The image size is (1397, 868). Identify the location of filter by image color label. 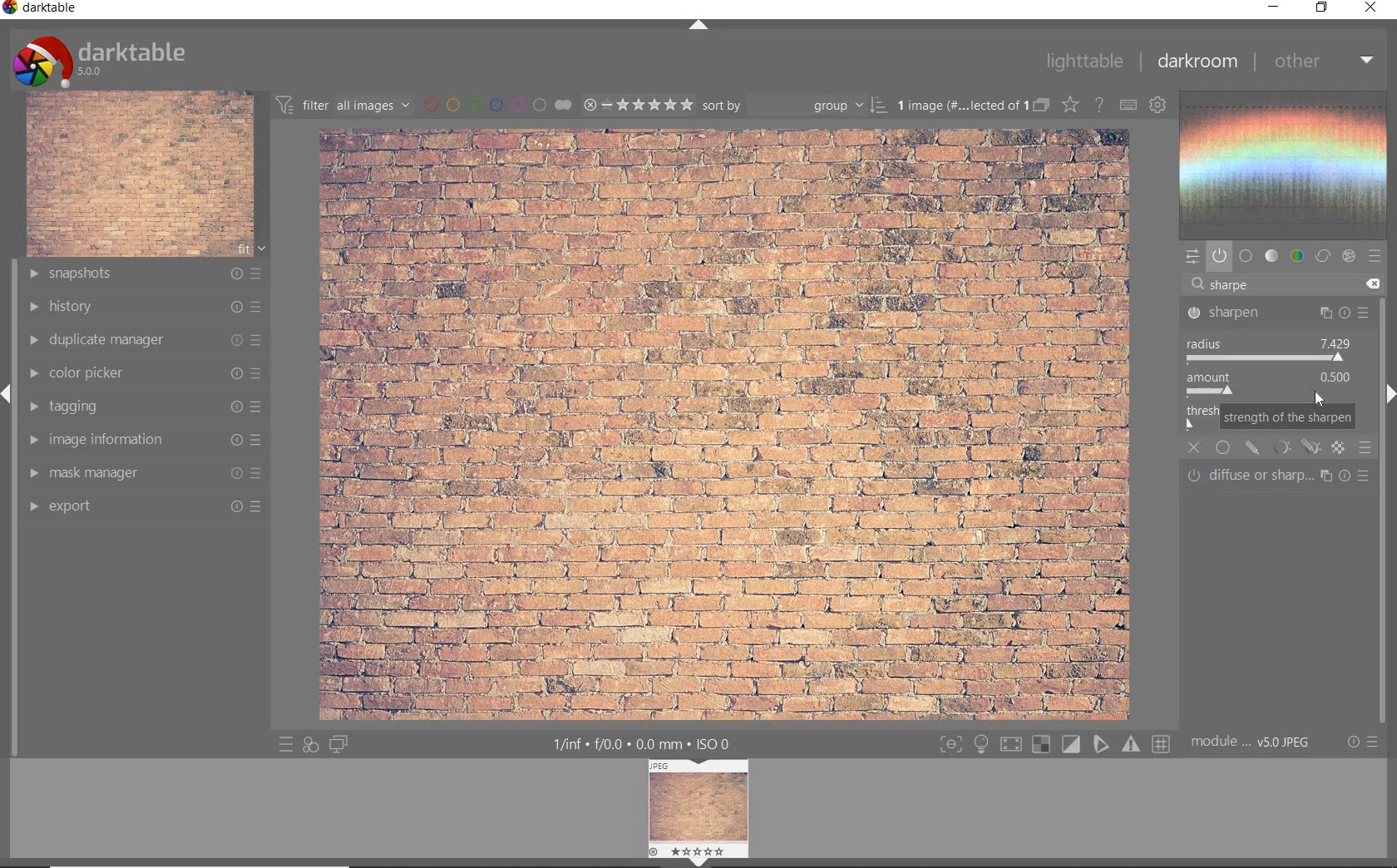
(496, 104).